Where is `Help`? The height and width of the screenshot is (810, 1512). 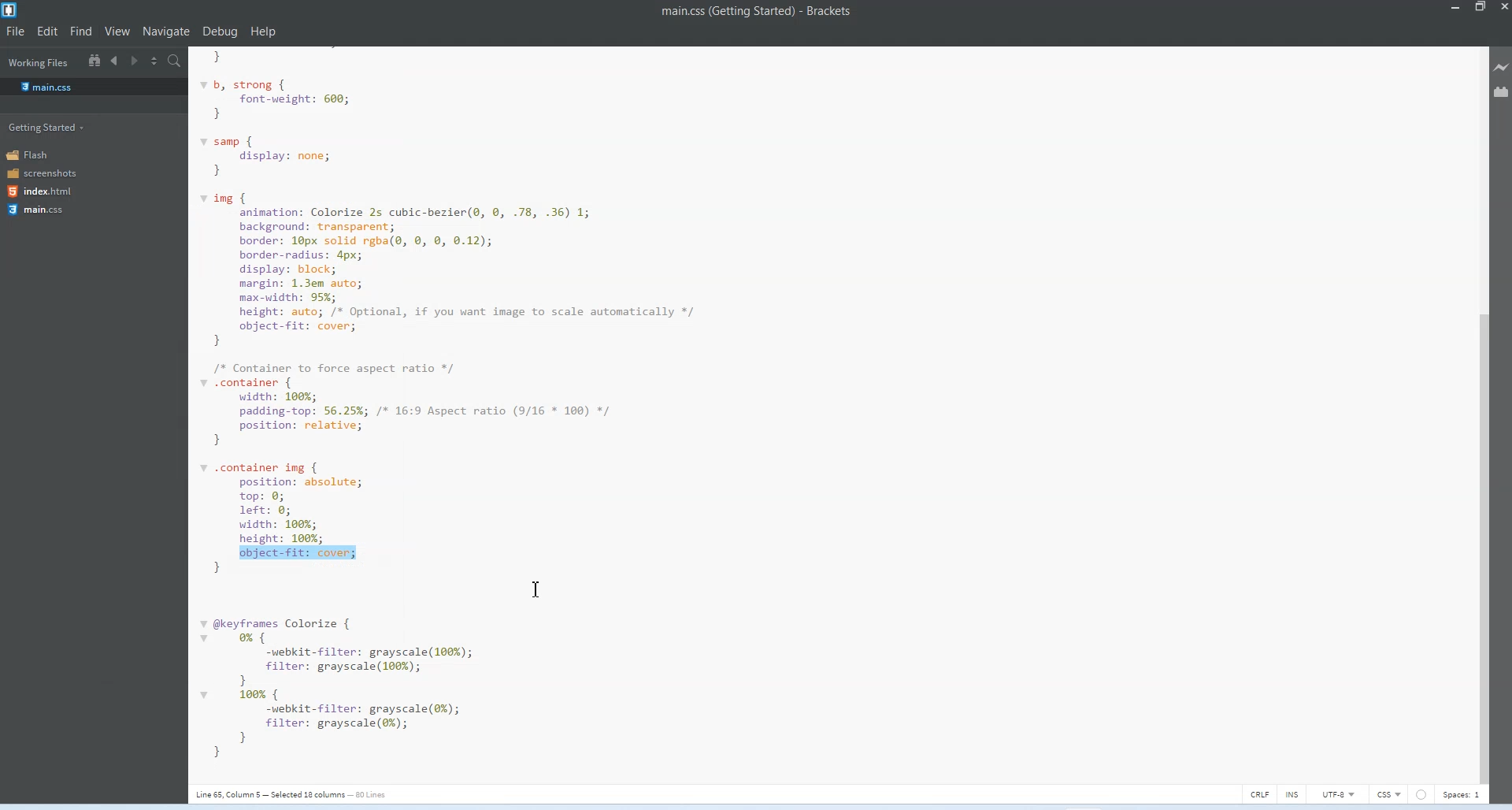
Help is located at coordinates (263, 31).